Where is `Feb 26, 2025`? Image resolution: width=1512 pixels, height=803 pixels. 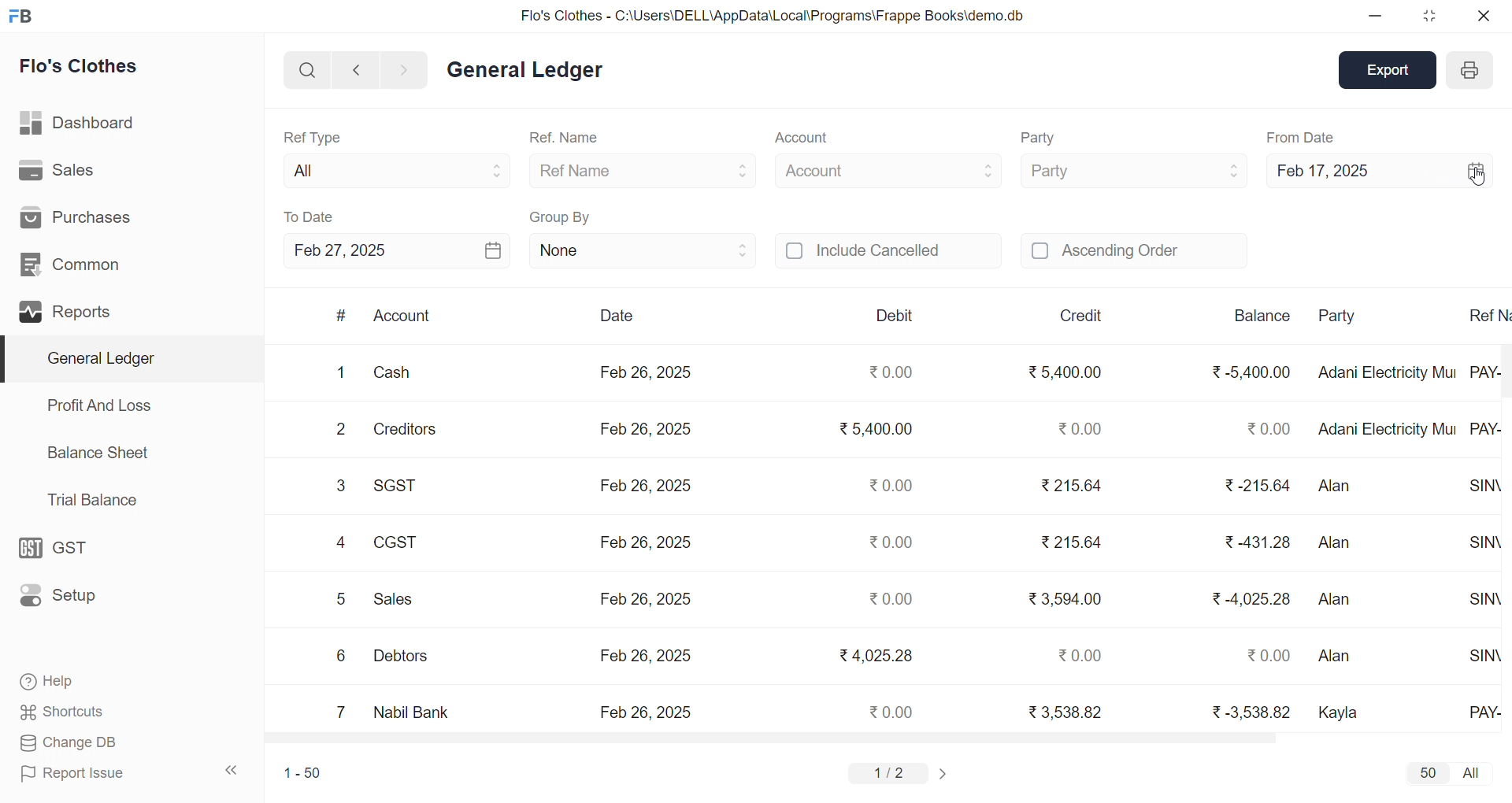
Feb 26, 2025 is located at coordinates (646, 373).